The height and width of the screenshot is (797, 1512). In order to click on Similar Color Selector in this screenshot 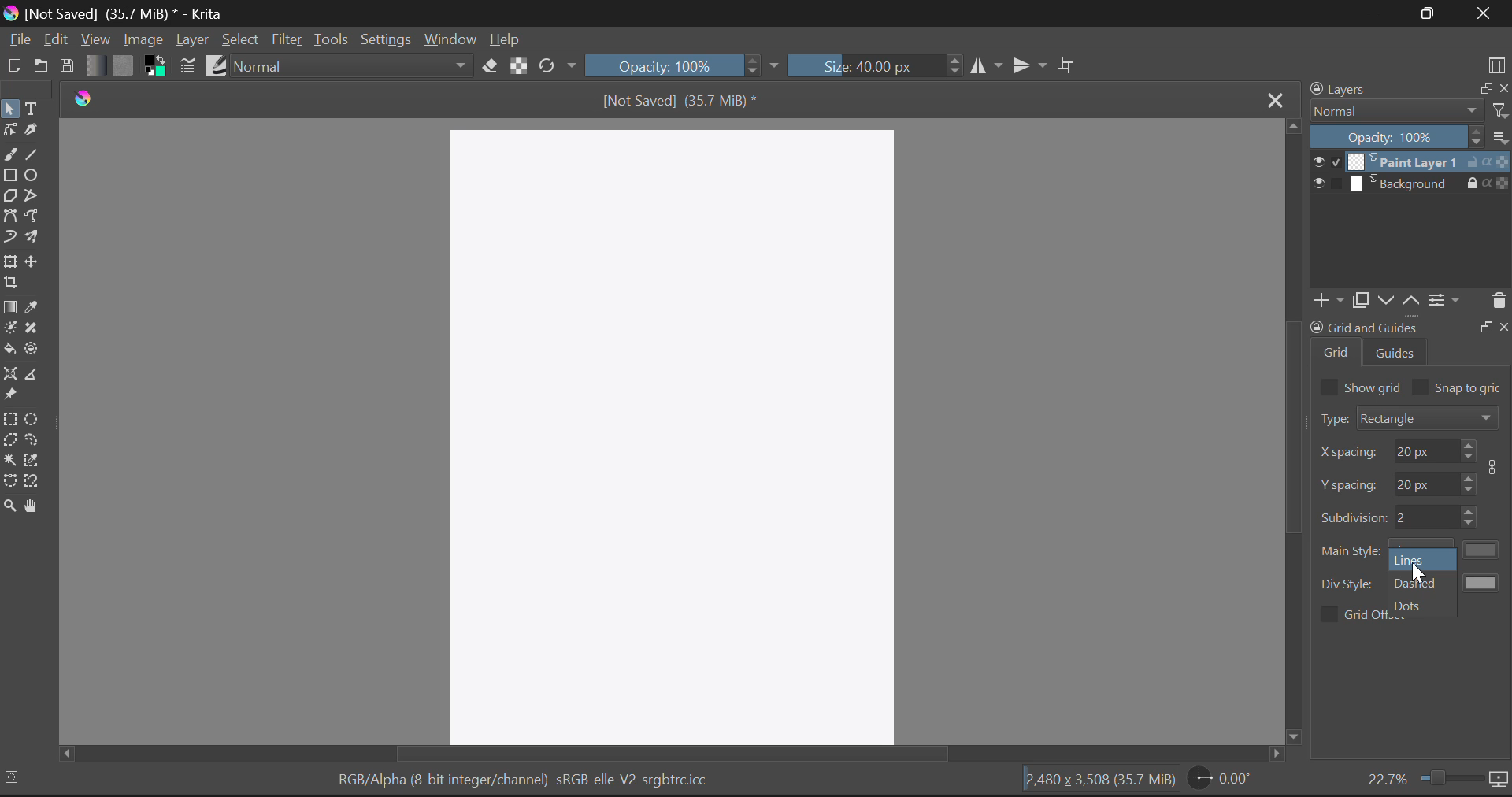, I will do `click(32, 459)`.